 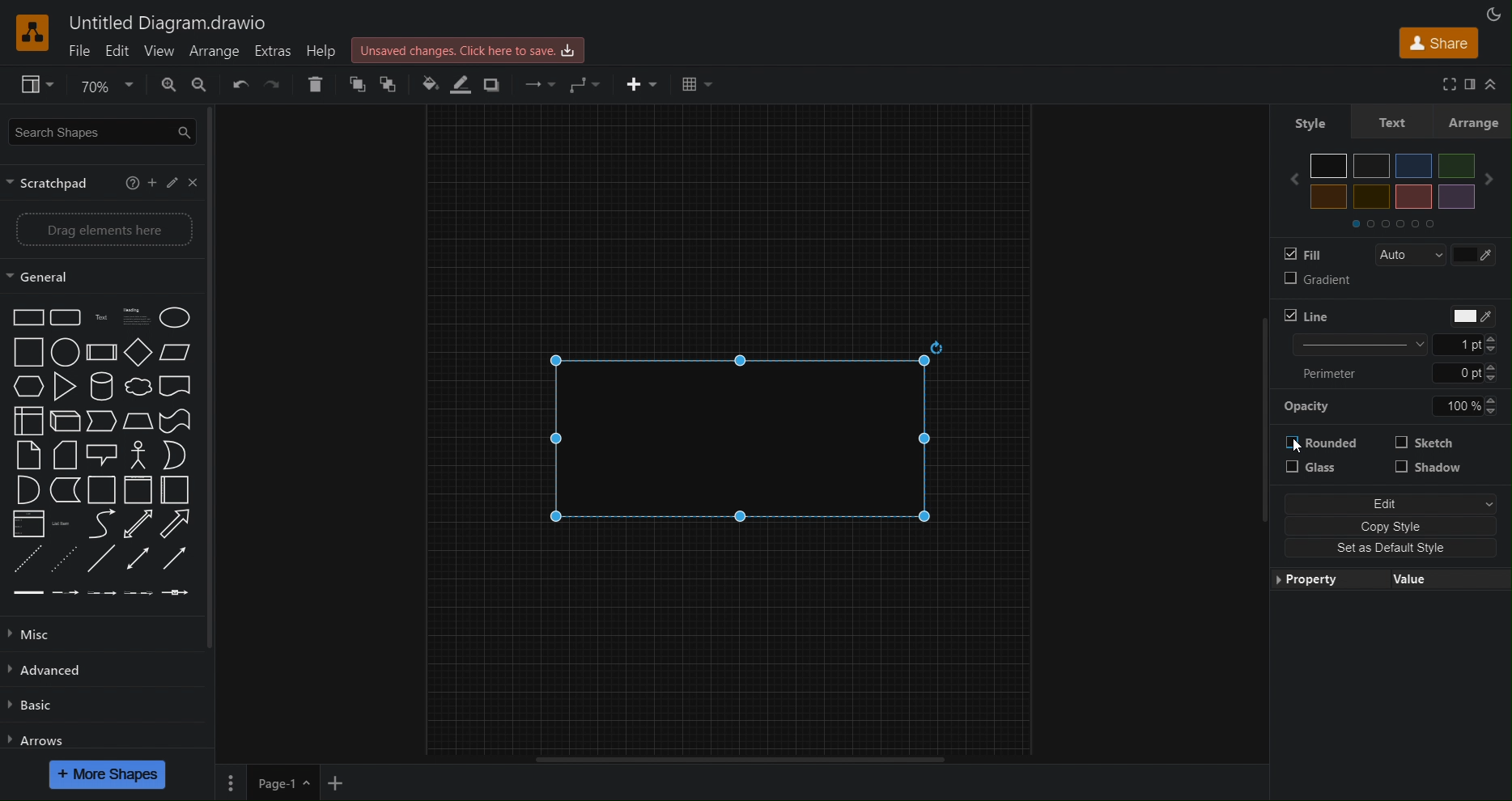 I want to click on Text, so click(x=1396, y=121).